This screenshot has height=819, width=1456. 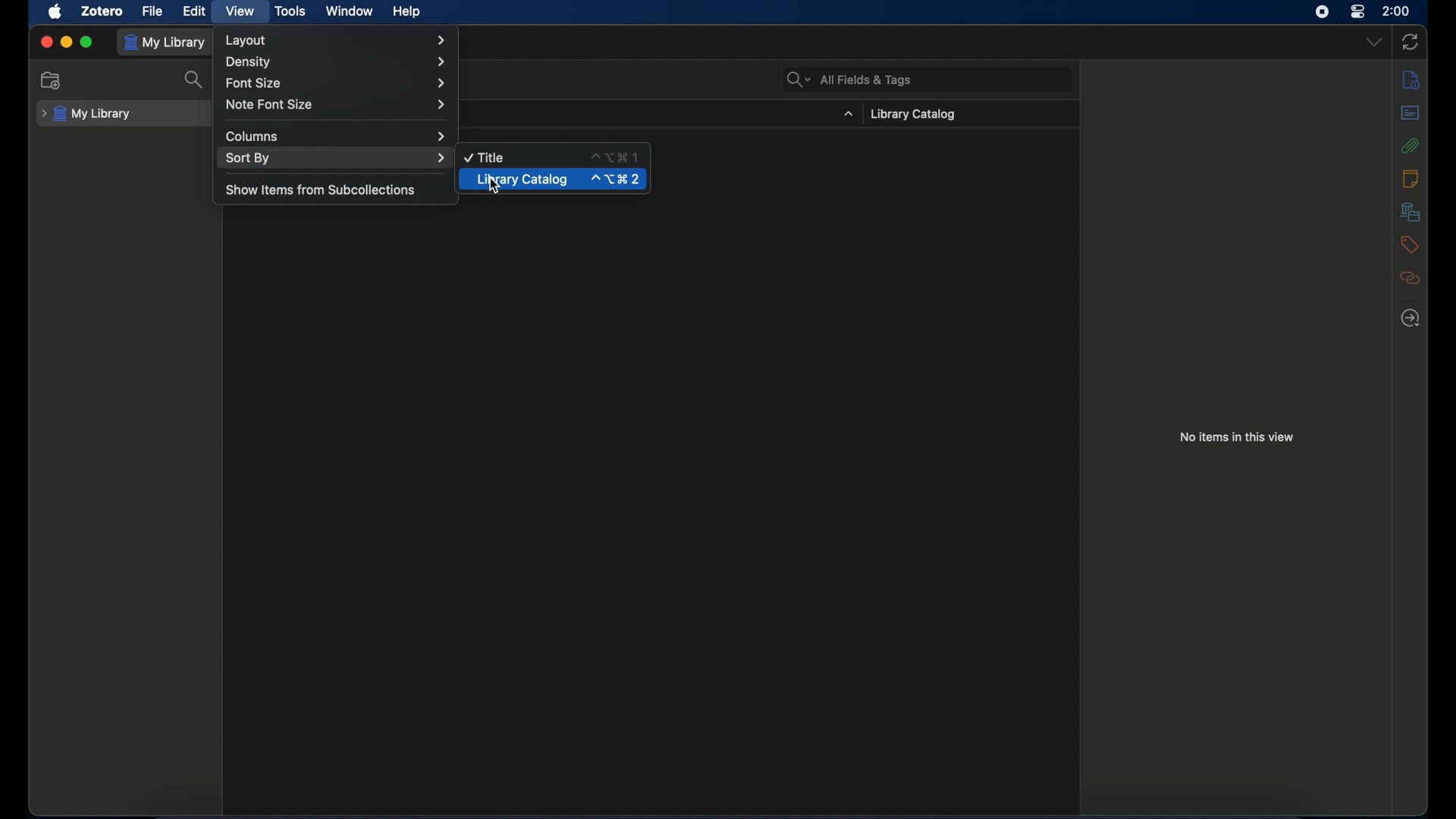 I want to click on notes, so click(x=1411, y=179).